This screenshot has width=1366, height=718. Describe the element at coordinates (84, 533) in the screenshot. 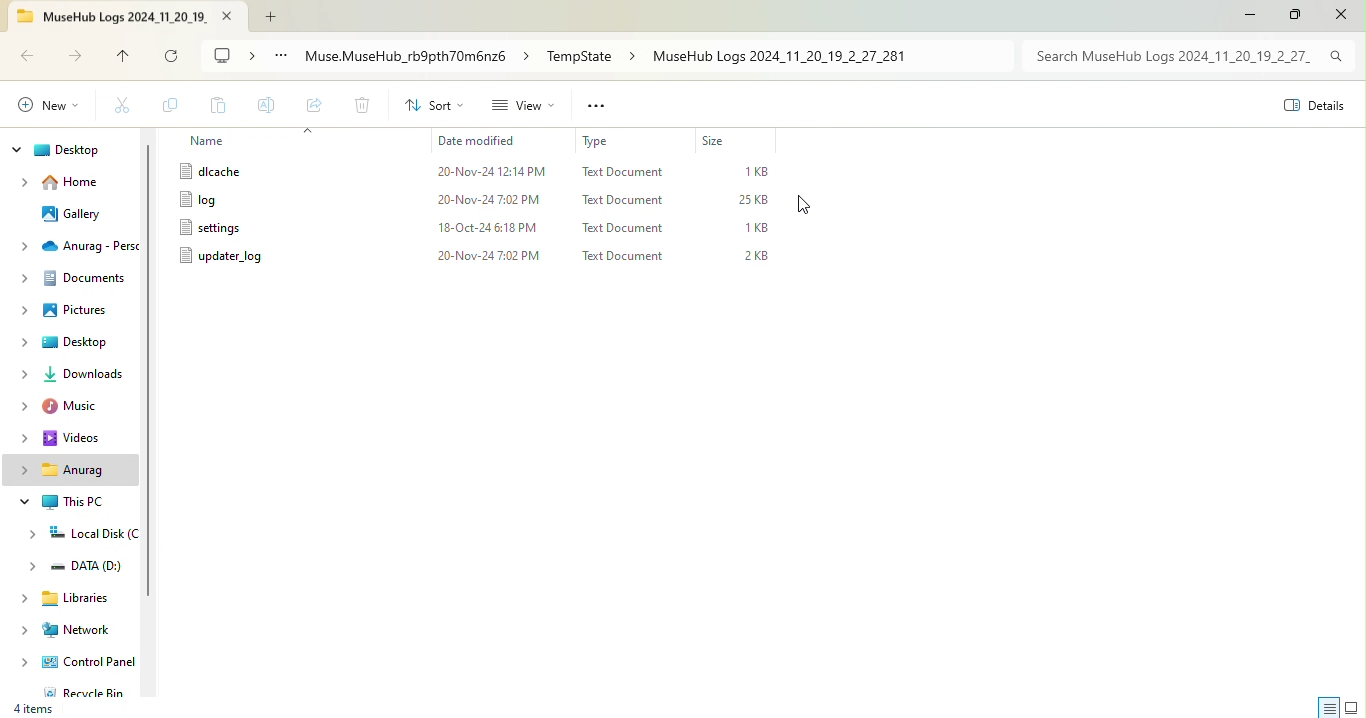

I see `Local disk (C:)` at that location.